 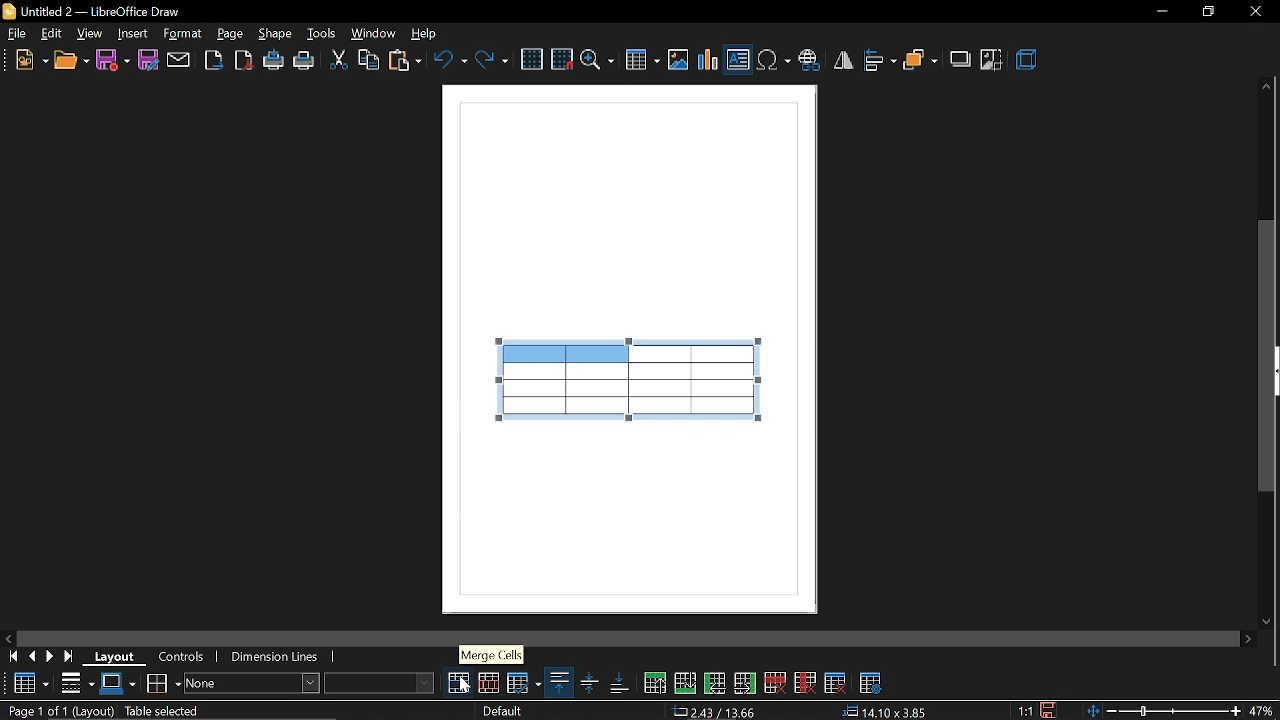 I want to click on save as, so click(x=149, y=61).